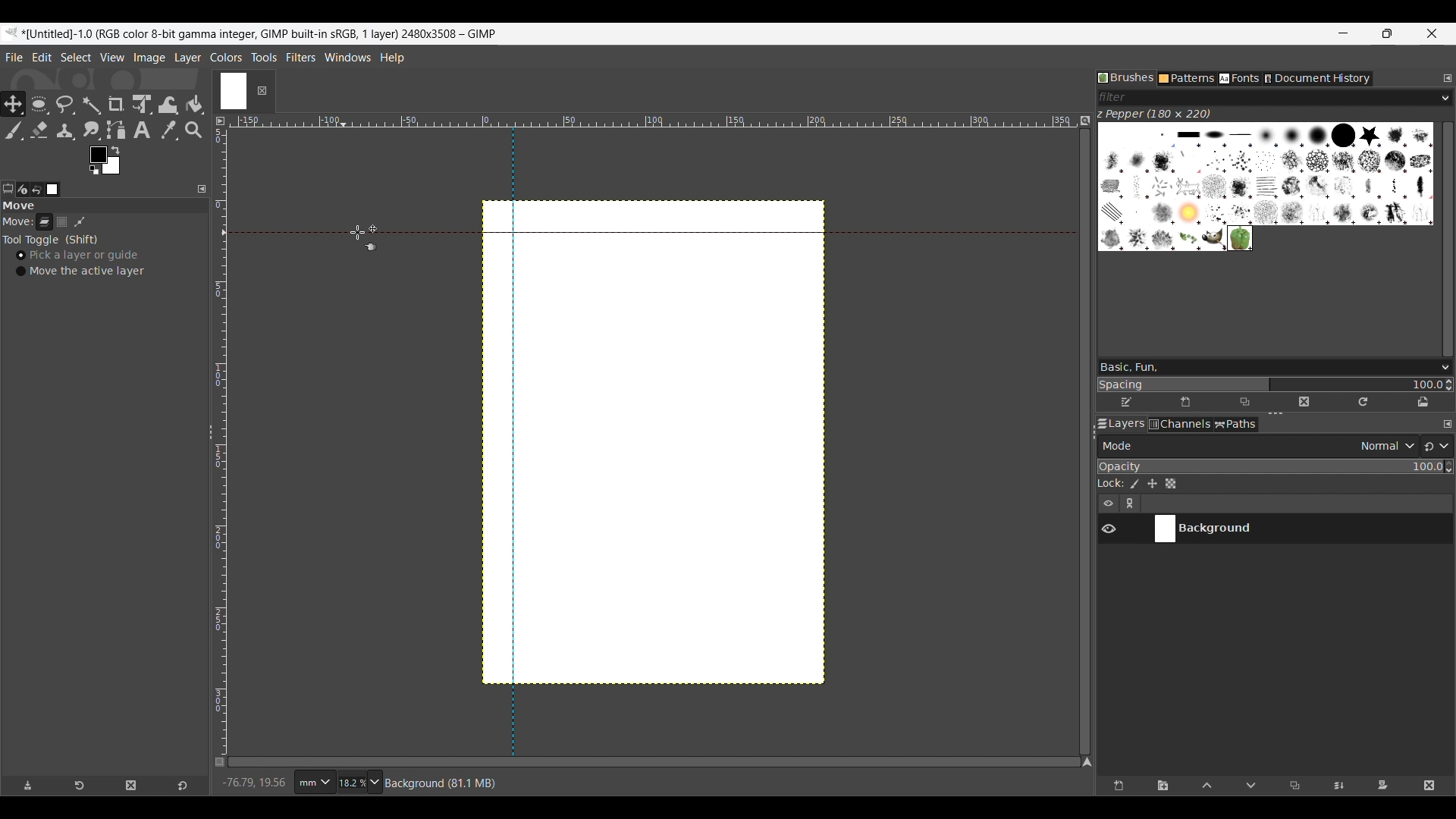 The width and height of the screenshot is (1456, 819). What do you see at coordinates (65, 224) in the screenshot?
I see `Selection` at bounding box center [65, 224].